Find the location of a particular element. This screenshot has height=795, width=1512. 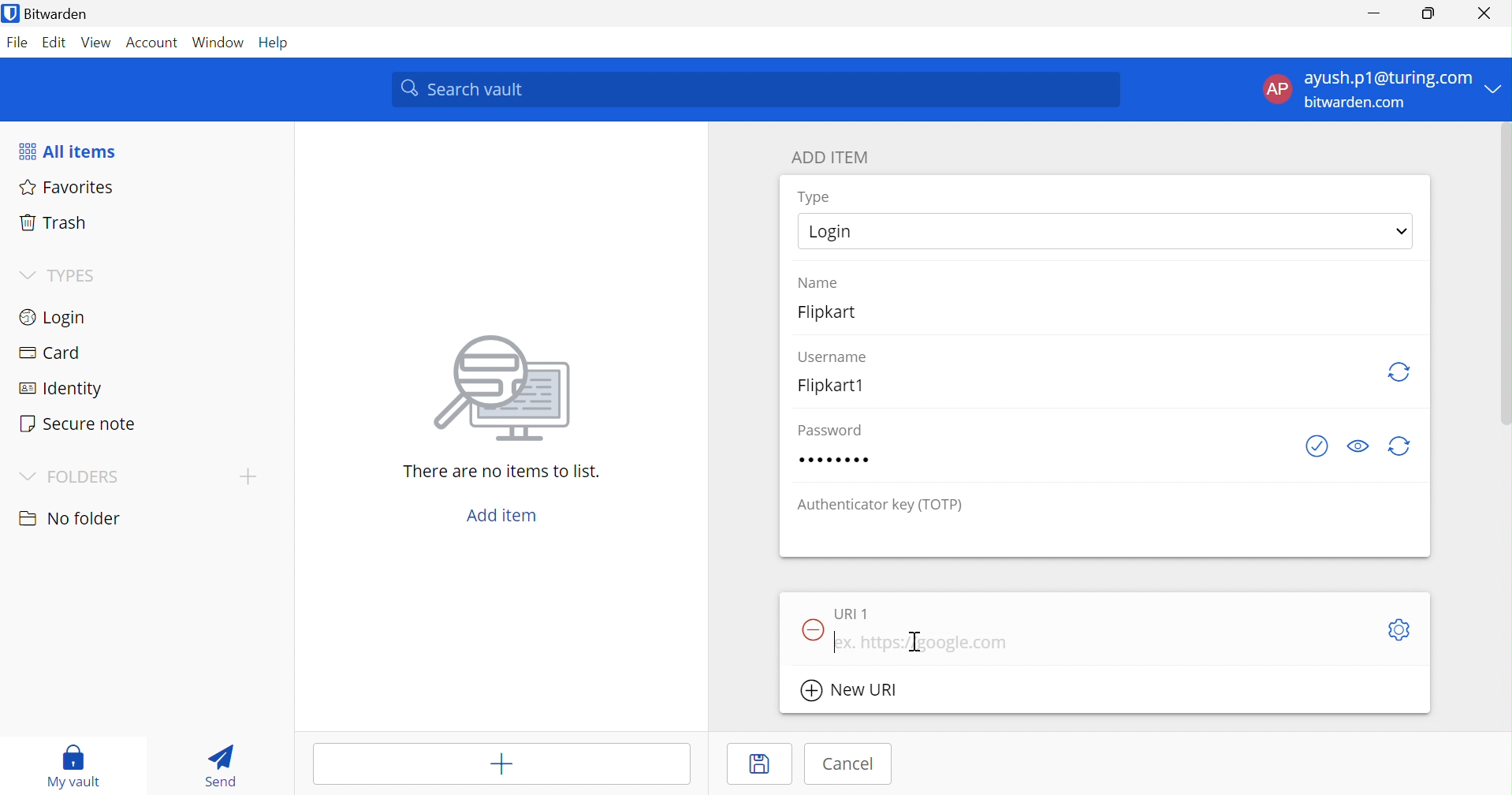

FOLDERS is located at coordinates (84, 478).